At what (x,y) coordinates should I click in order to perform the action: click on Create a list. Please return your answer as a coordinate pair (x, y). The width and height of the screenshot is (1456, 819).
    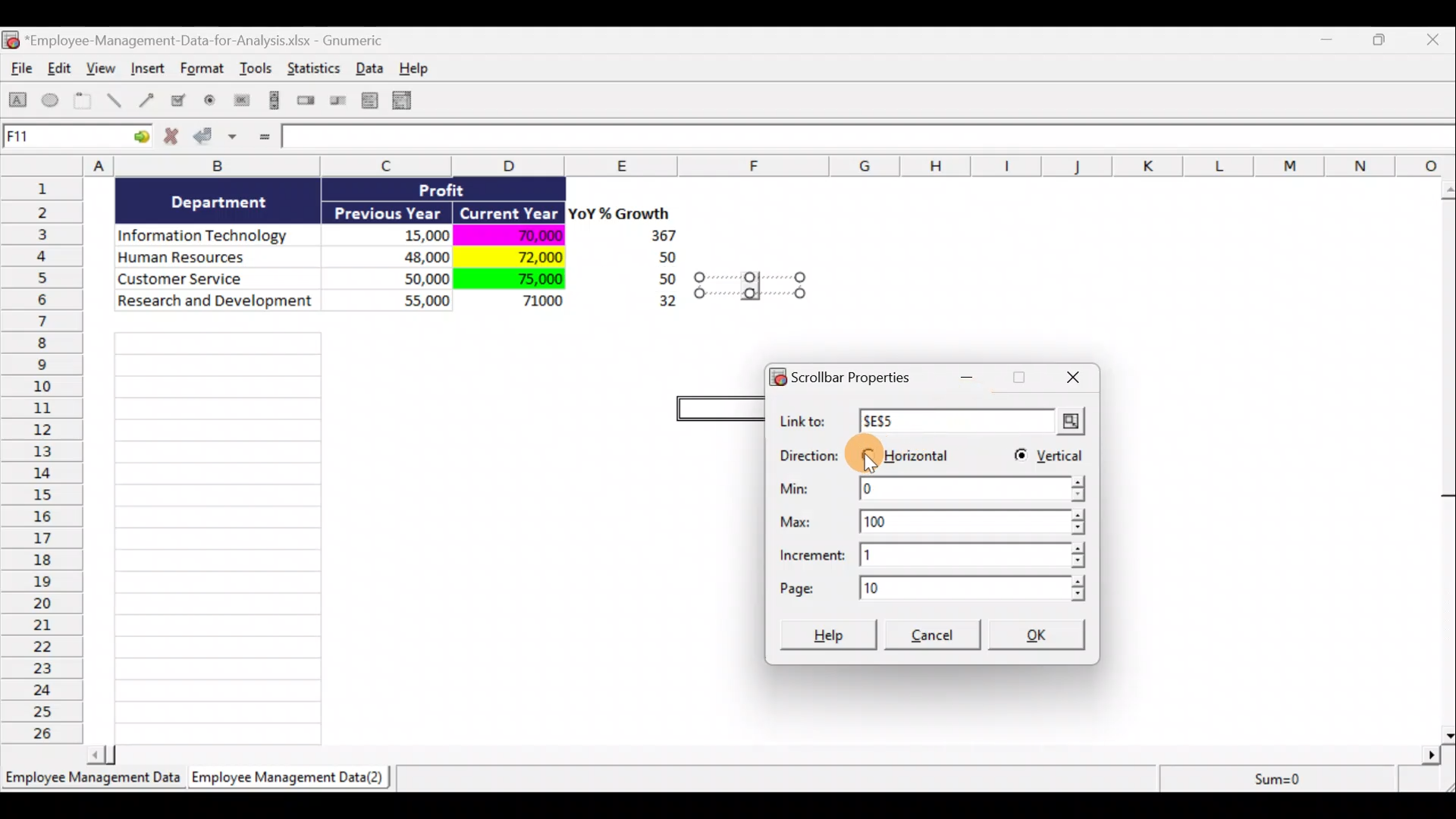
    Looking at the image, I should click on (366, 100).